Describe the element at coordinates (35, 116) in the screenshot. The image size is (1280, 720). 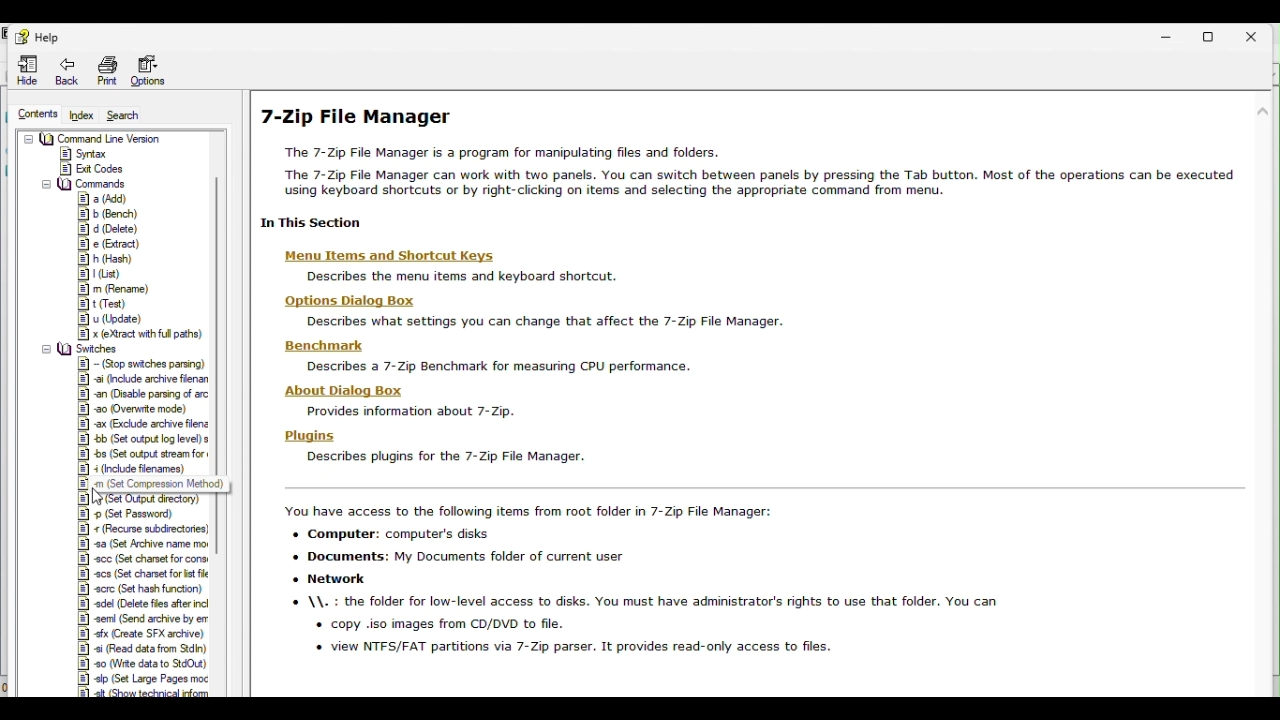
I see `Contents` at that location.